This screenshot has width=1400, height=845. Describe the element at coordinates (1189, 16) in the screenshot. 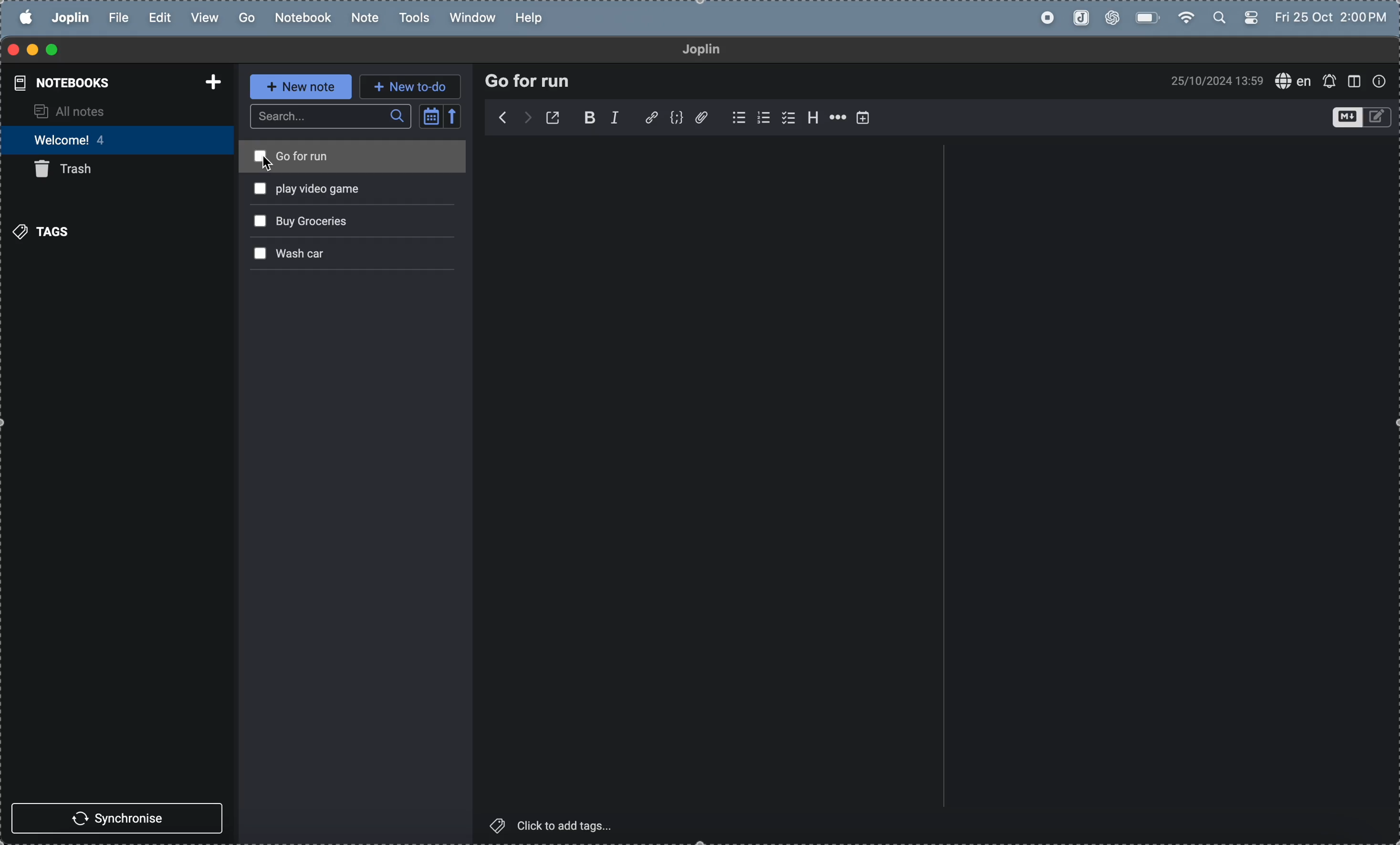

I see `wifi ` at that location.